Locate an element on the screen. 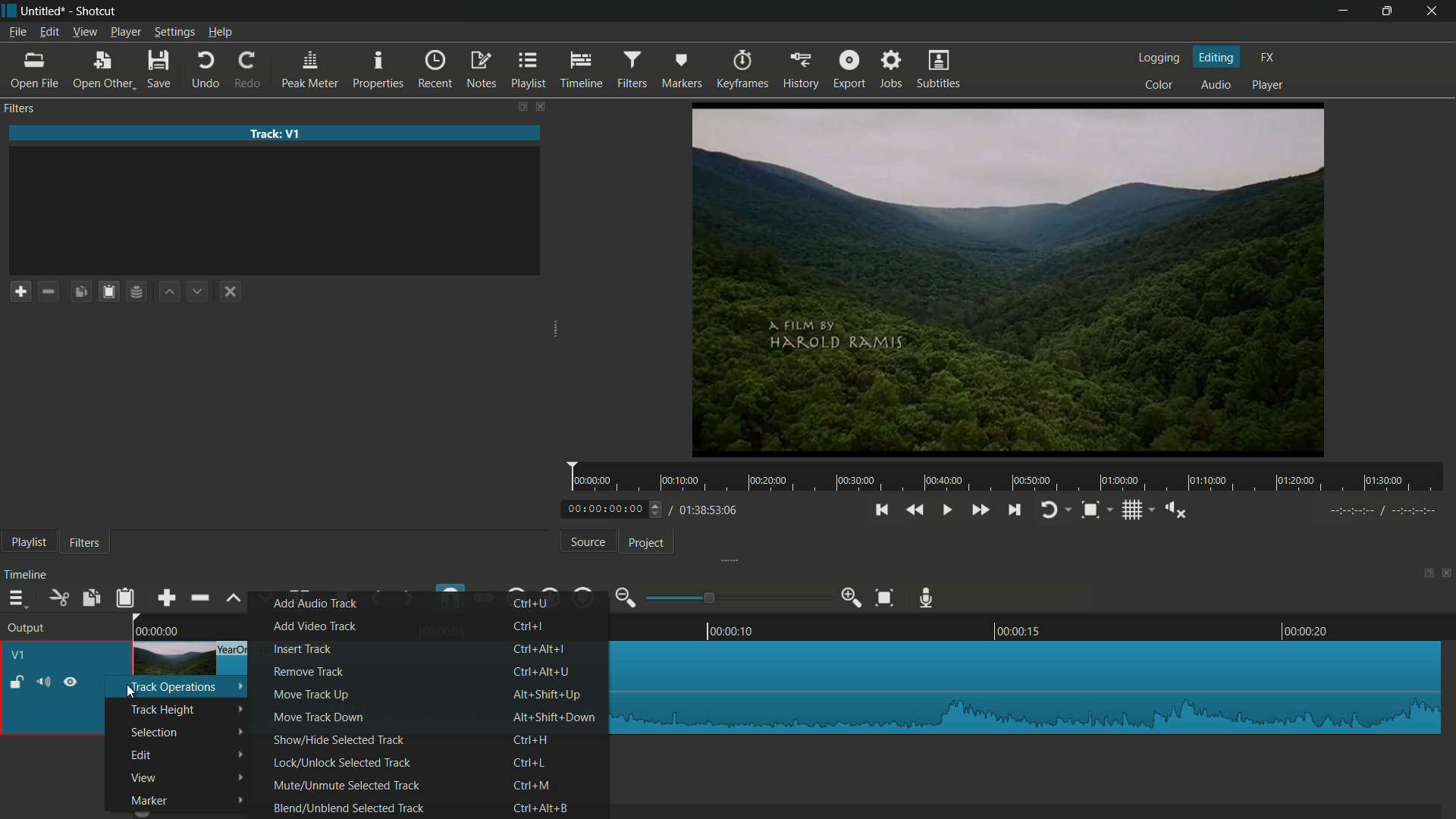 The width and height of the screenshot is (1456, 819). keyframes is located at coordinates (740, 70).